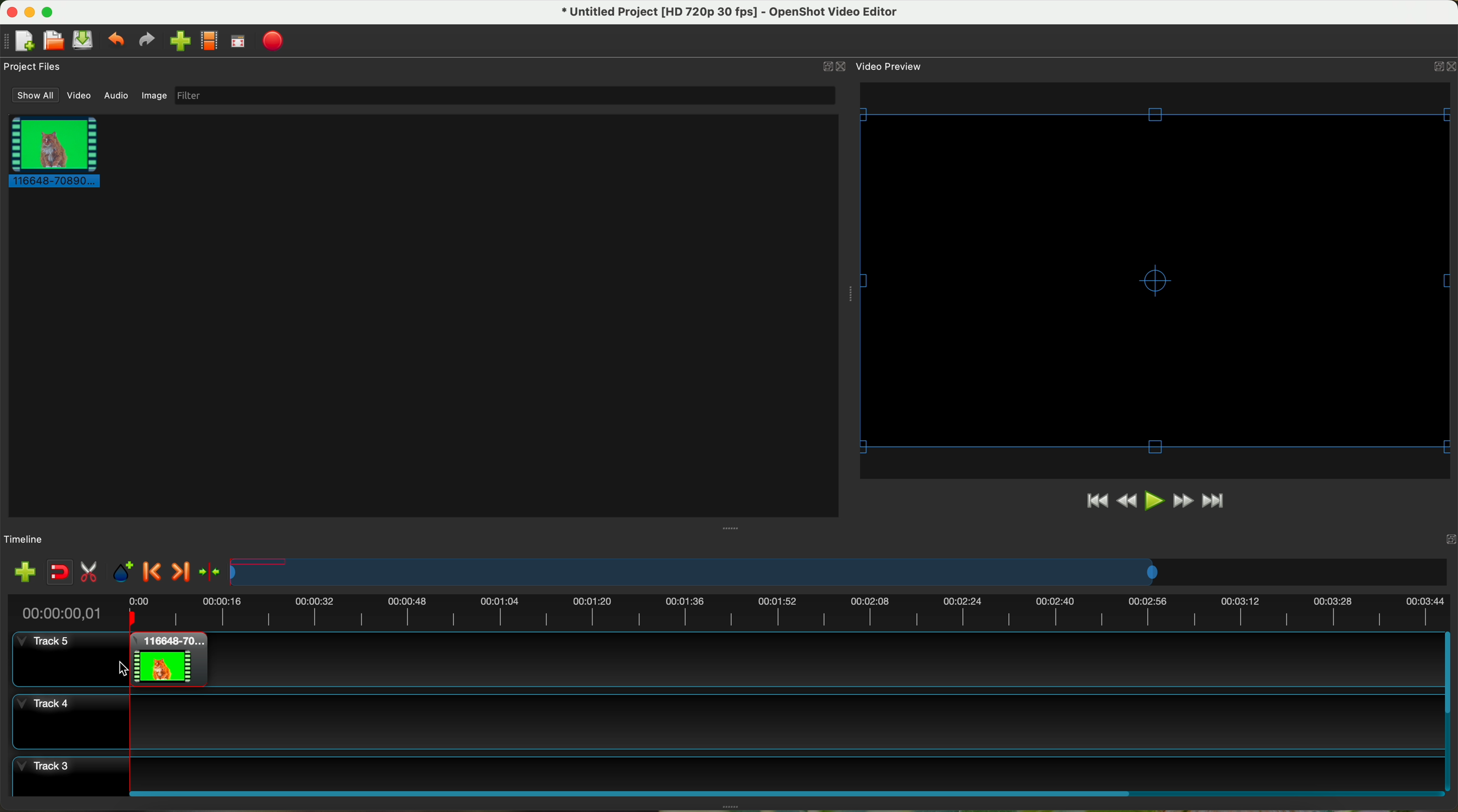  I want to click on save project, so click(84, 40).